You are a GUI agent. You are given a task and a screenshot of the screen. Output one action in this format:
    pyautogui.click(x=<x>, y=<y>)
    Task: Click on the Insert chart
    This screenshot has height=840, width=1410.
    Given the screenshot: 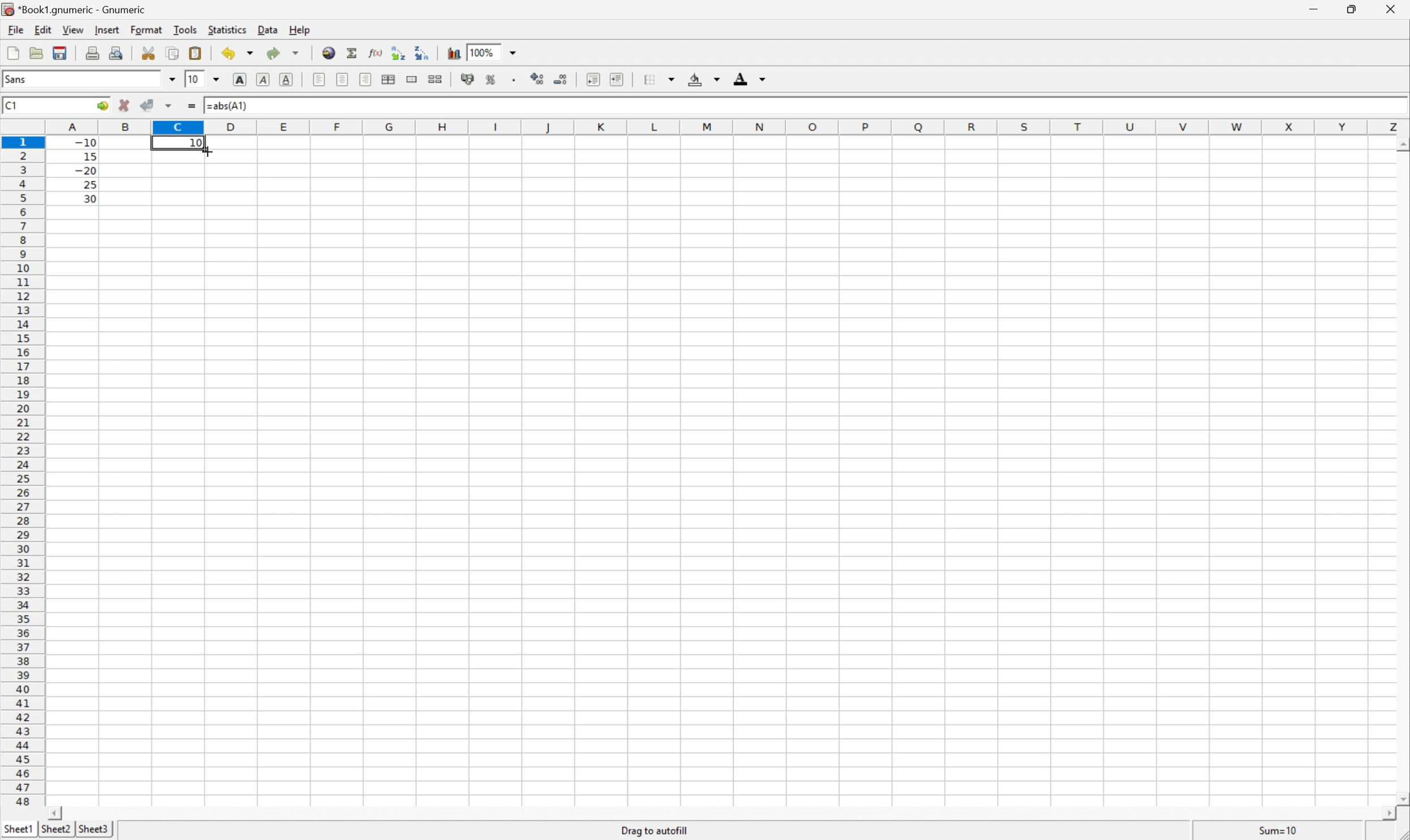 What is the action you would take?
    pyautogui.click(x=454, y=52)
    